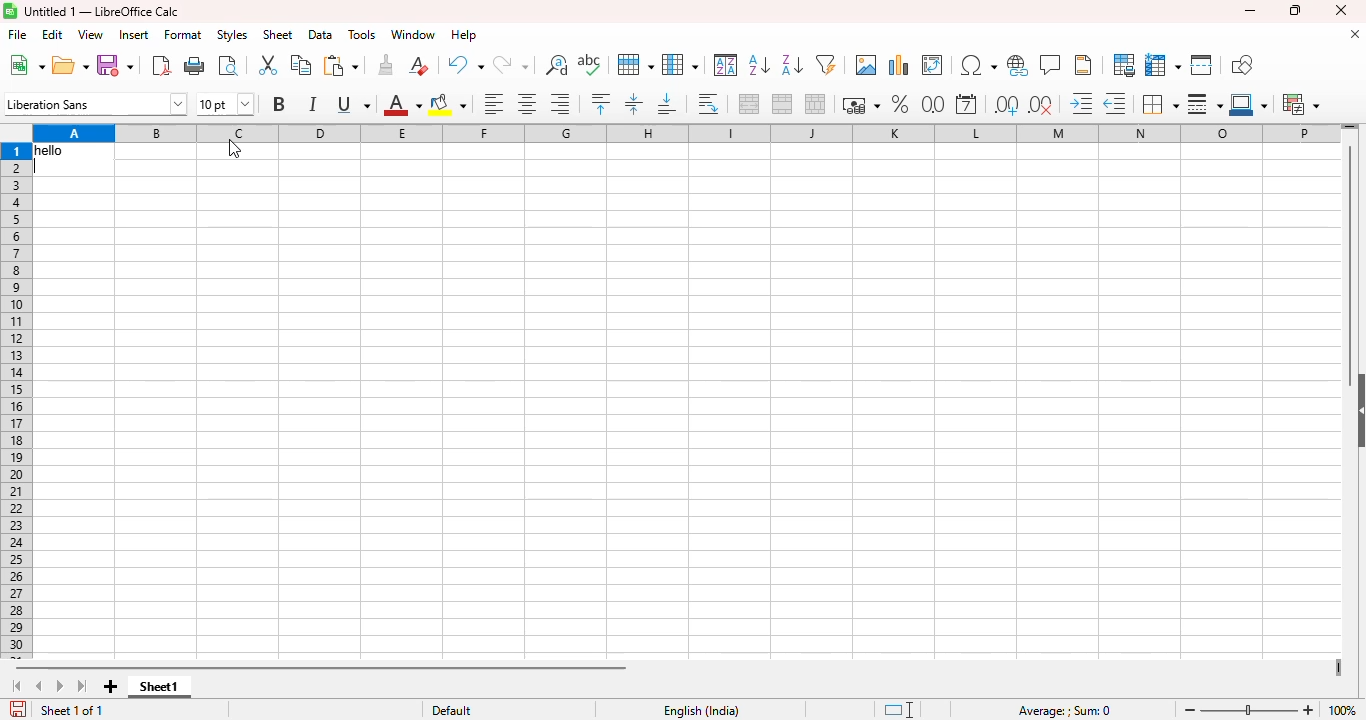 This screenshot has width=1366, height=720. Describe the element at coordinates (414, 34) in the screenshot. I see `window` at that location.